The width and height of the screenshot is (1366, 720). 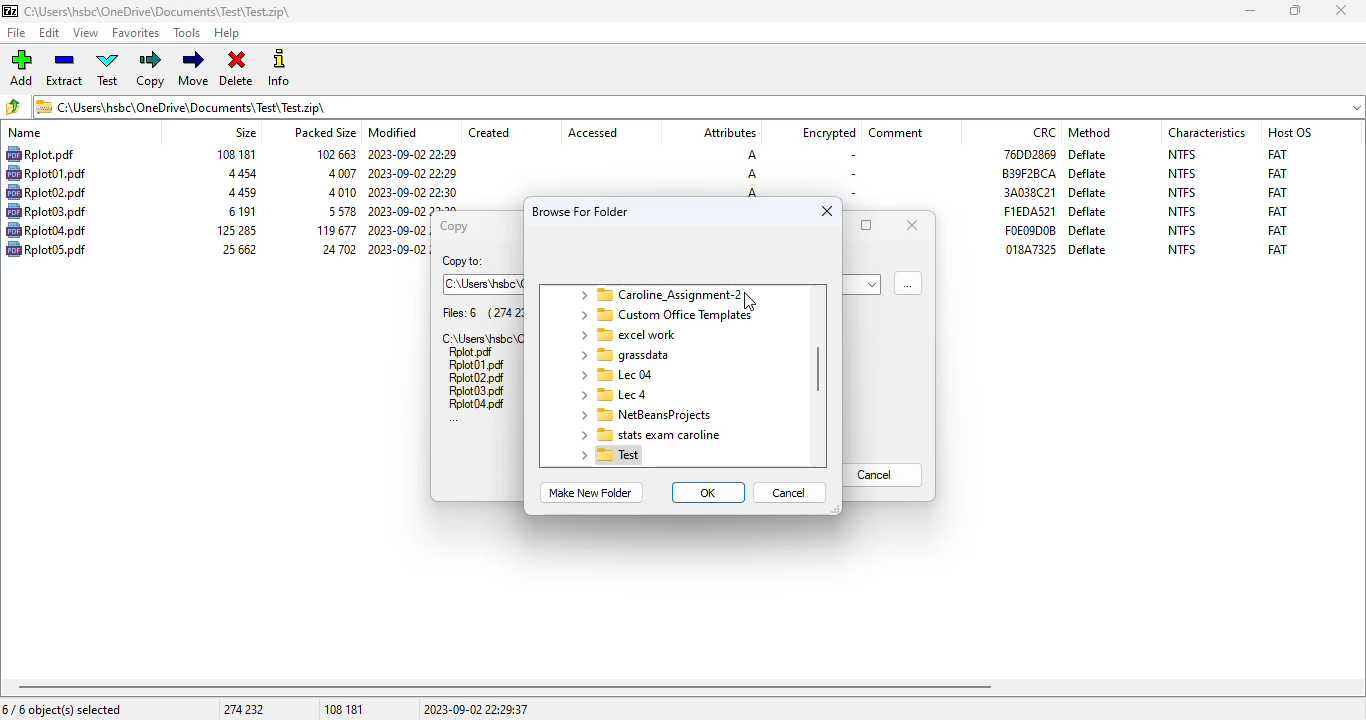 I want to click on 6/6 object(s) selected, so click(x=62, y=709).